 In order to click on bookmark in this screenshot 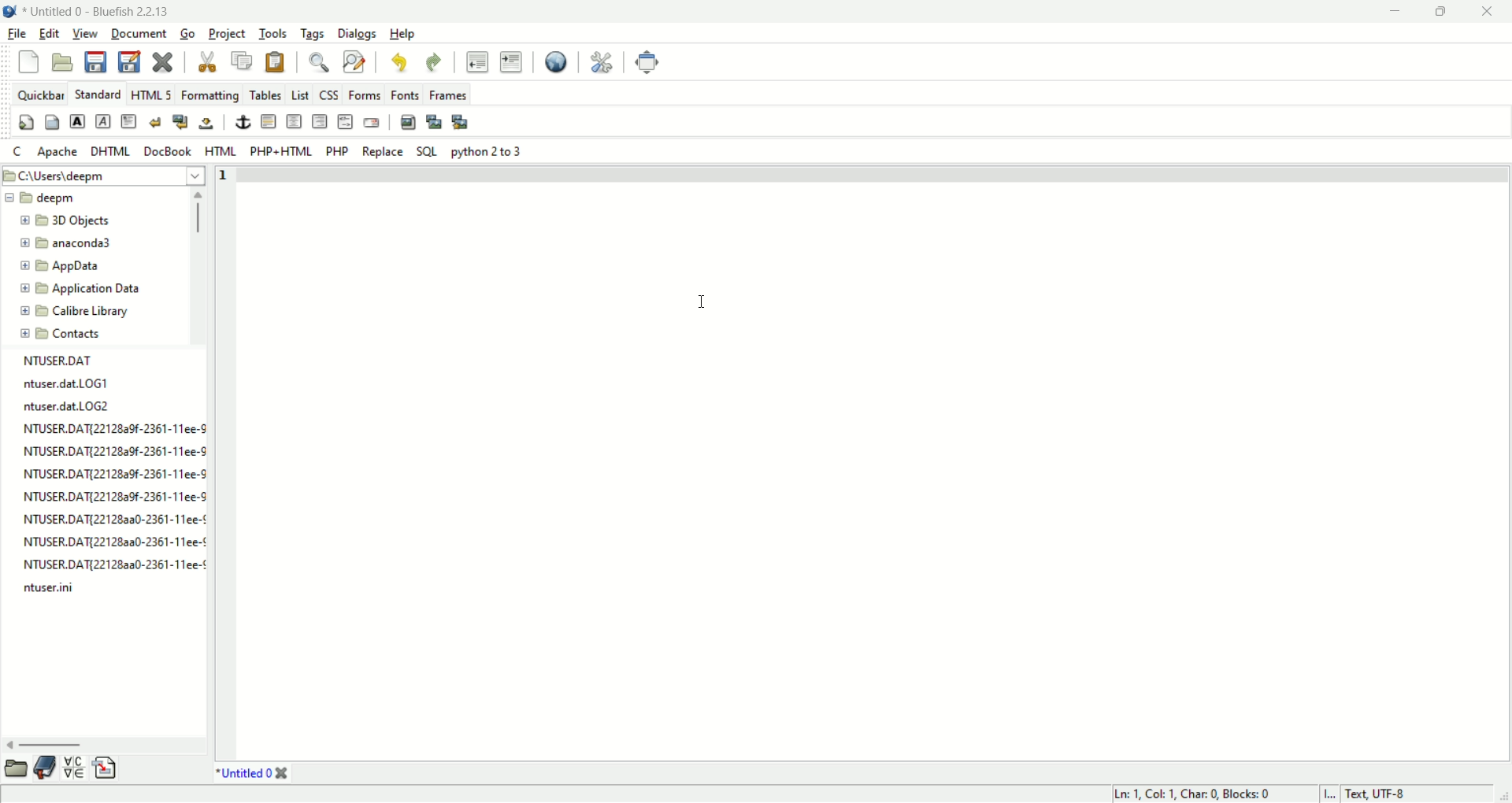, I will do `click(48, 770)`.